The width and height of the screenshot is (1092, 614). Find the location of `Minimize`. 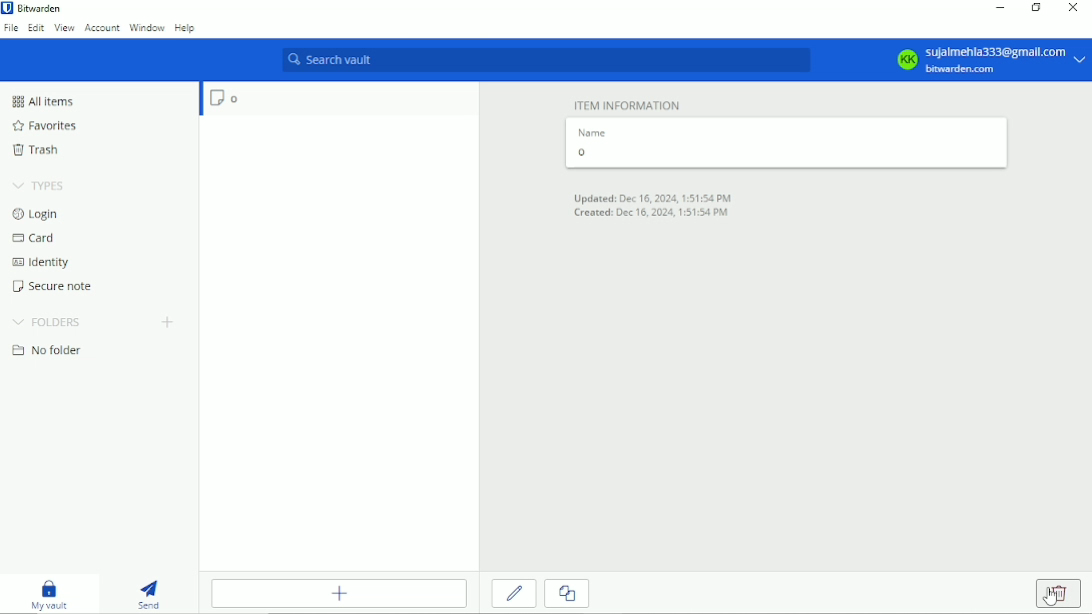

Minimize is located at coordinates (1001, 10).